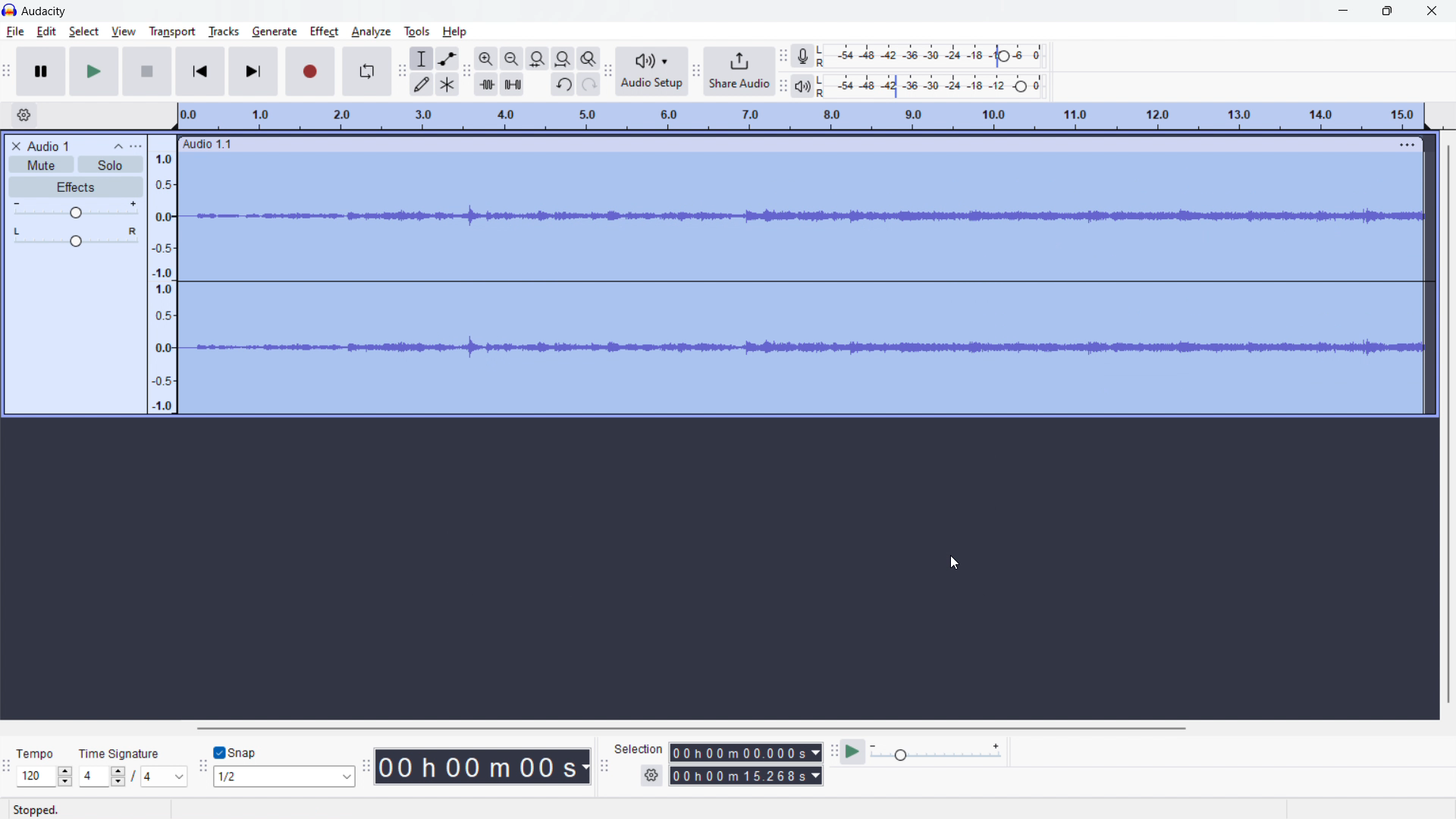  What do you see at coordinates (203, 766) in the screenshot?
I see `snapping toolbar` at bounding box center [203, 766].